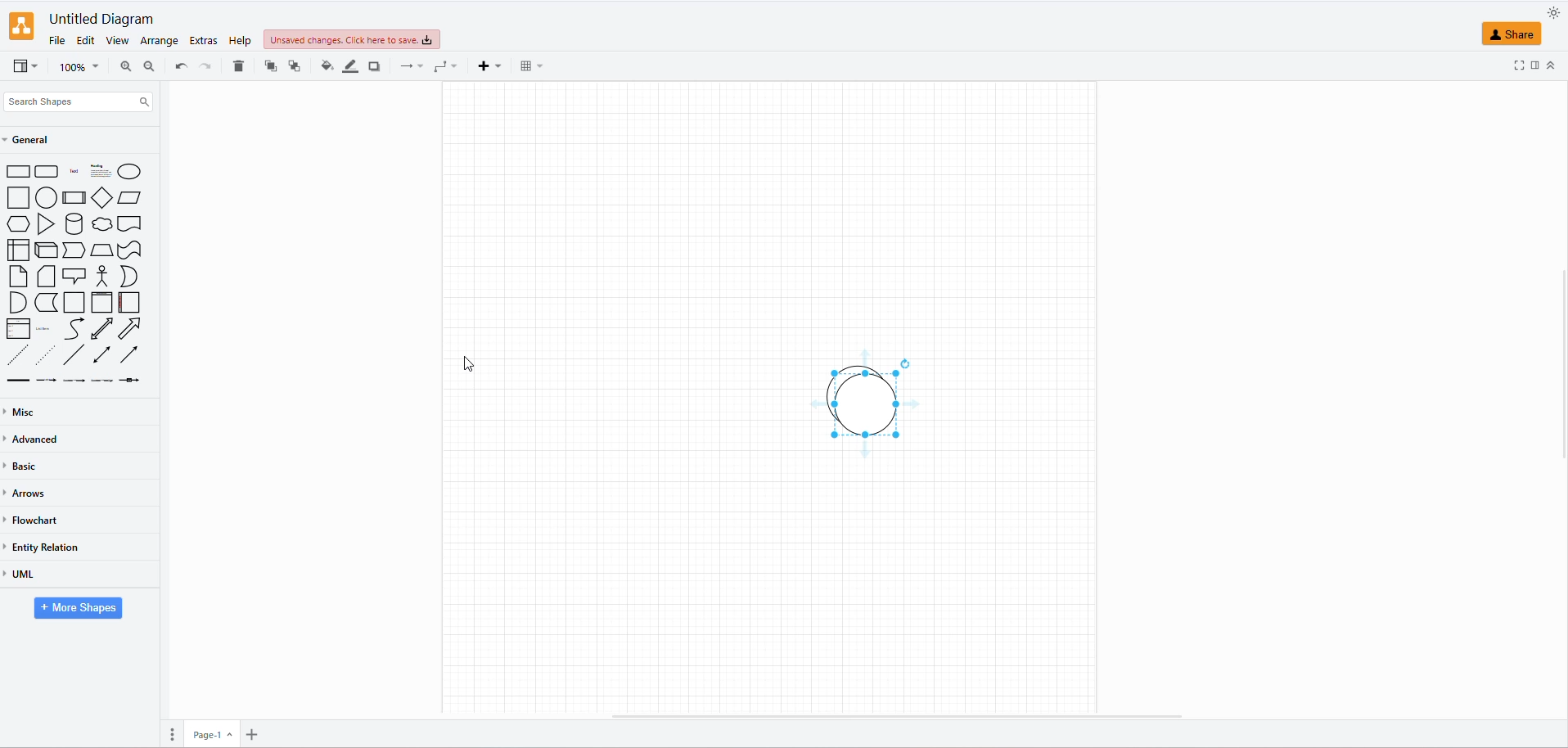 The width and height of the screenshot is (1568, 748). I want to click on TRIANGLE, so click(44, 223).